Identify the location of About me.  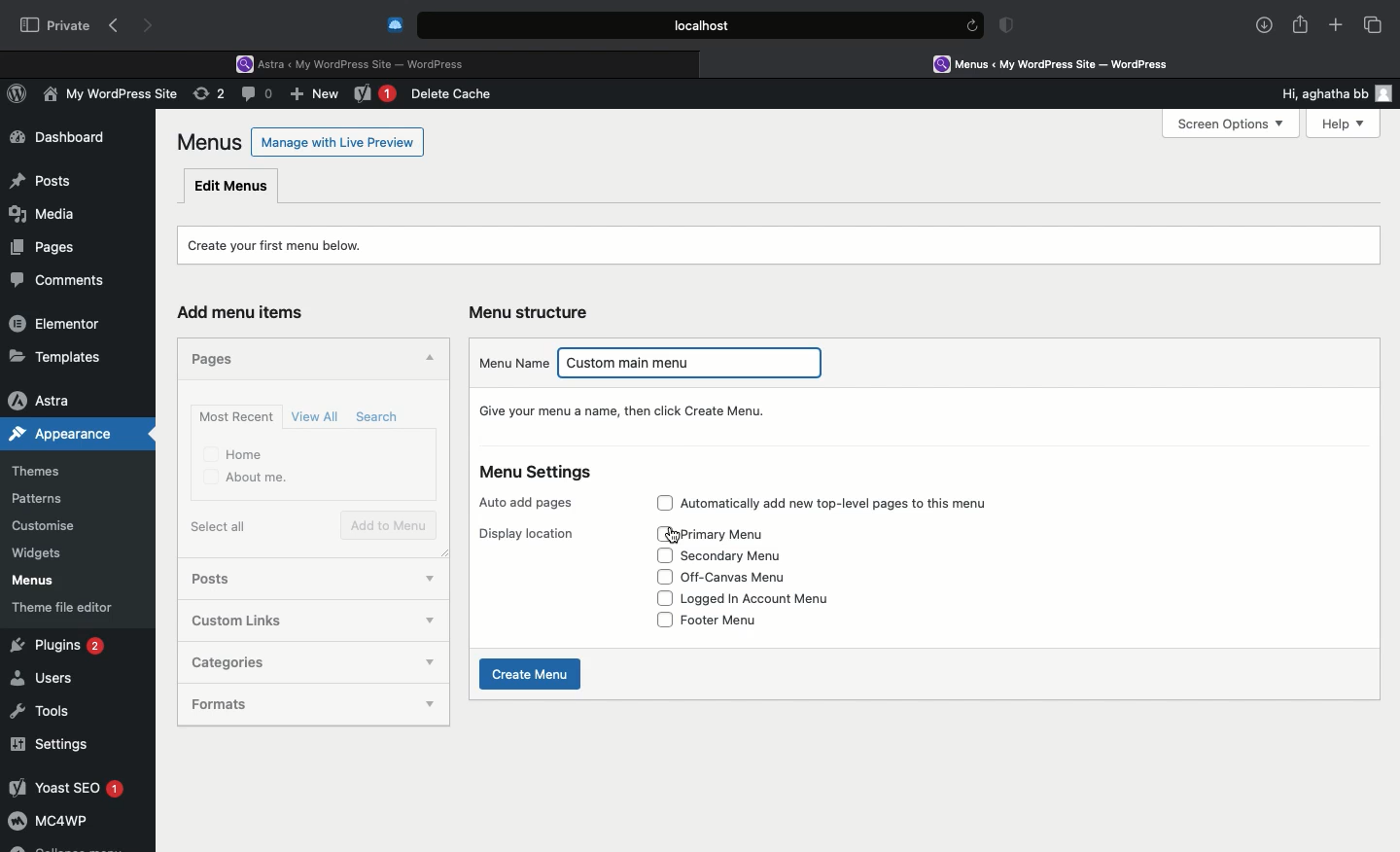
(247, 479).